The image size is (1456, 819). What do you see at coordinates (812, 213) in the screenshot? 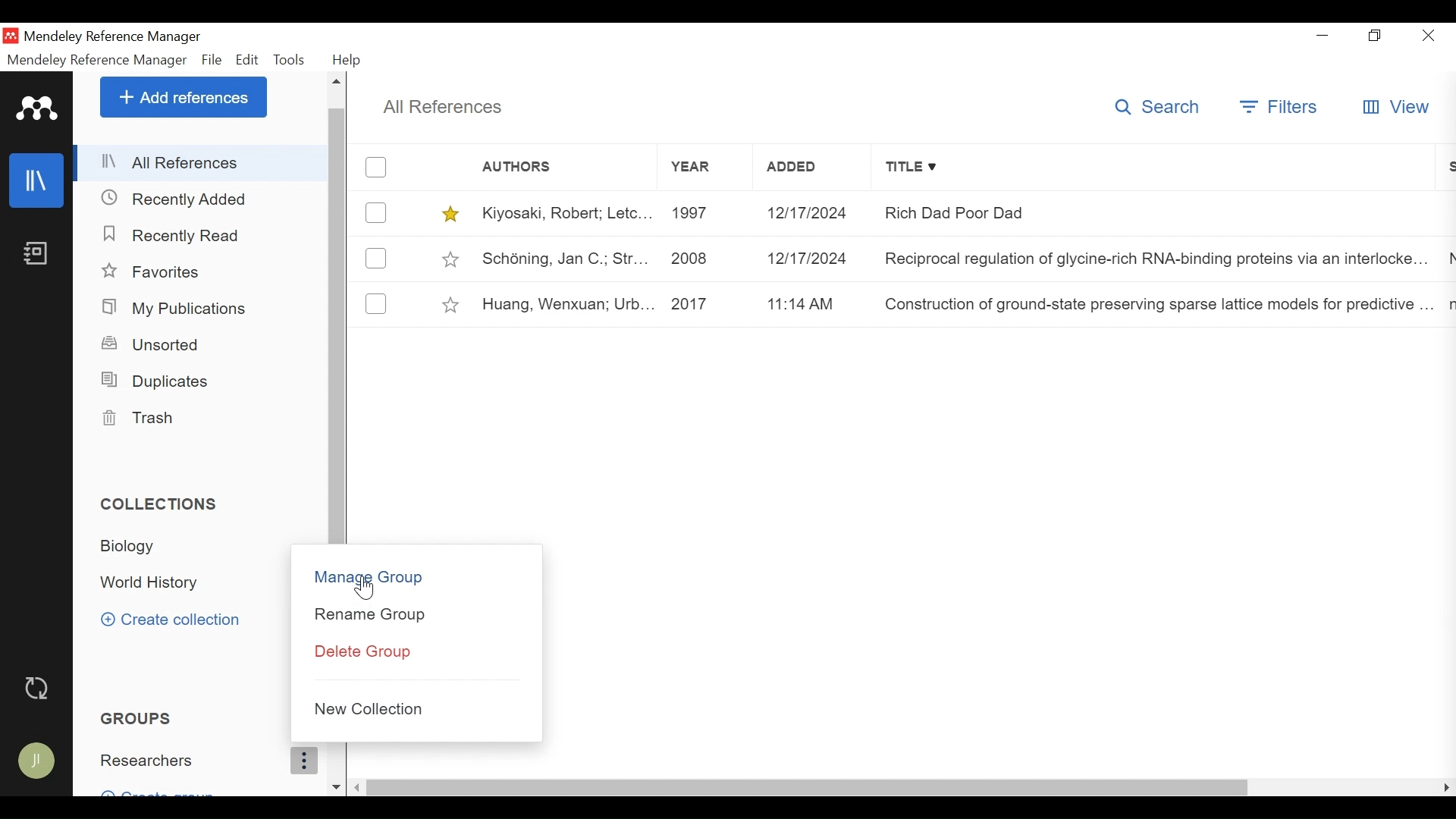
I see `12/12/2024` at bounding box center [812, 213].